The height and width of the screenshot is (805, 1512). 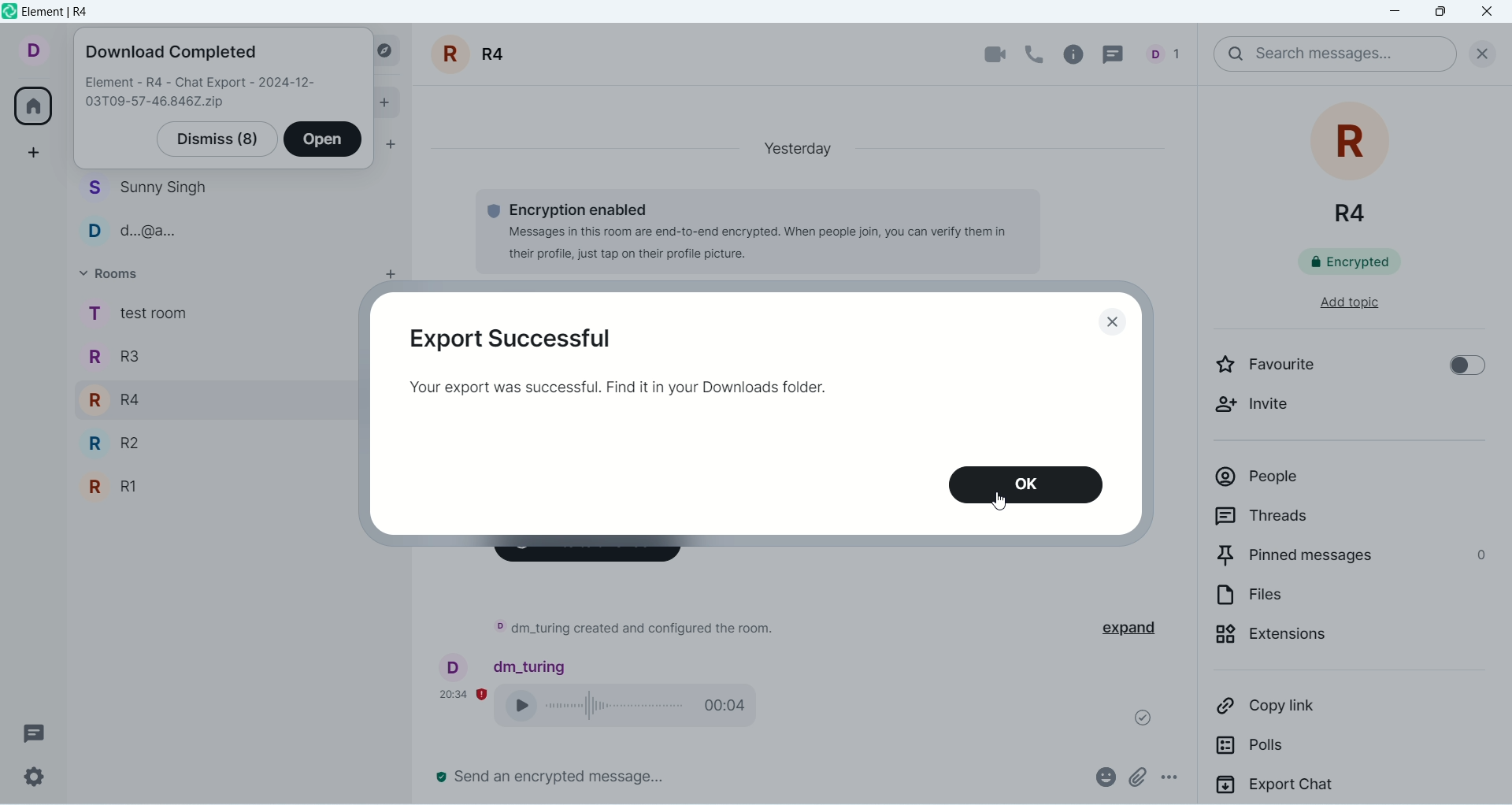 What do you see at coordinates (791, 147) in the screenshot?
I see `day` at bounding box center [791, 147].